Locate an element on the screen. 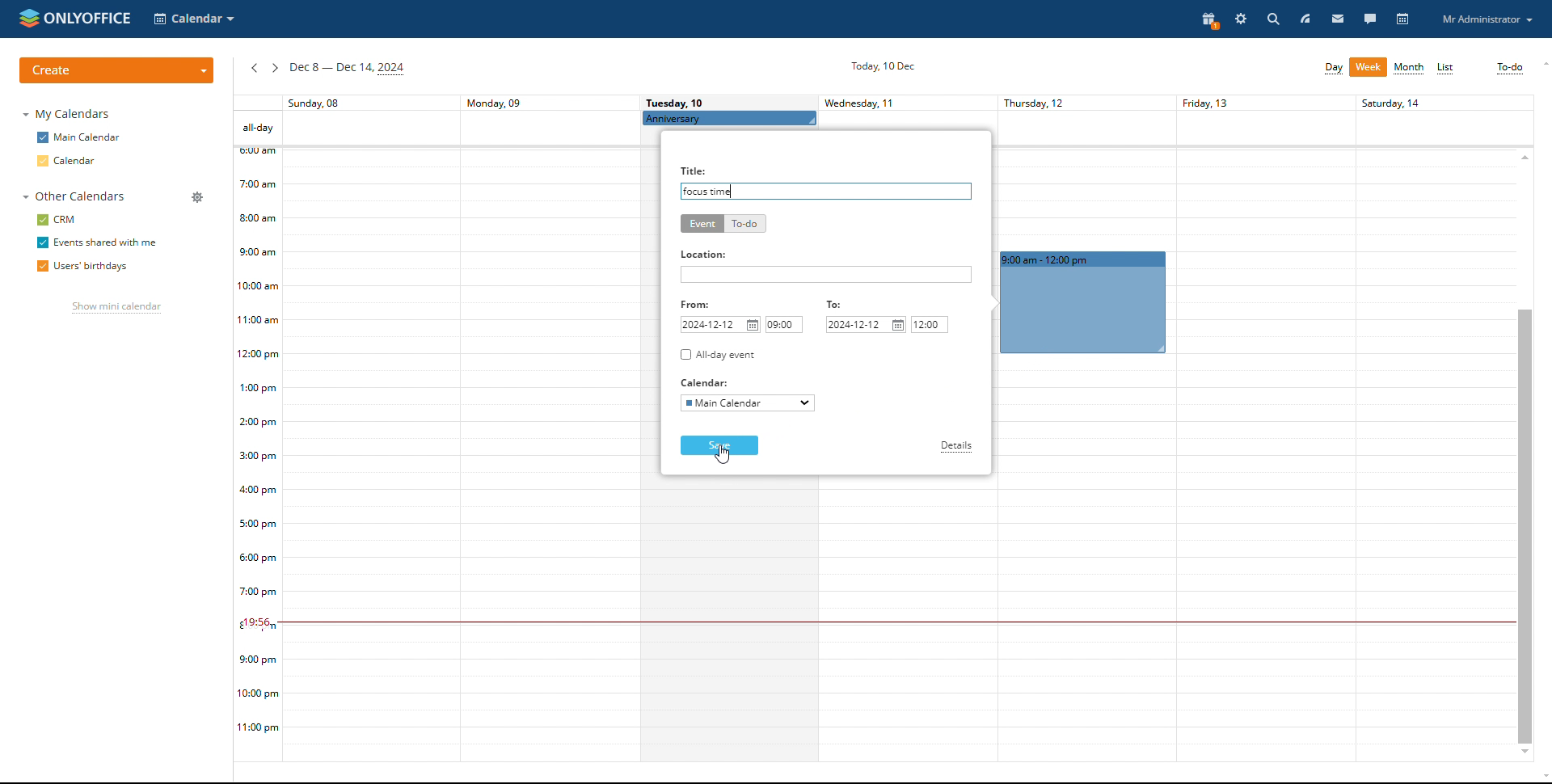  To: is located at coordinates (837, 306).